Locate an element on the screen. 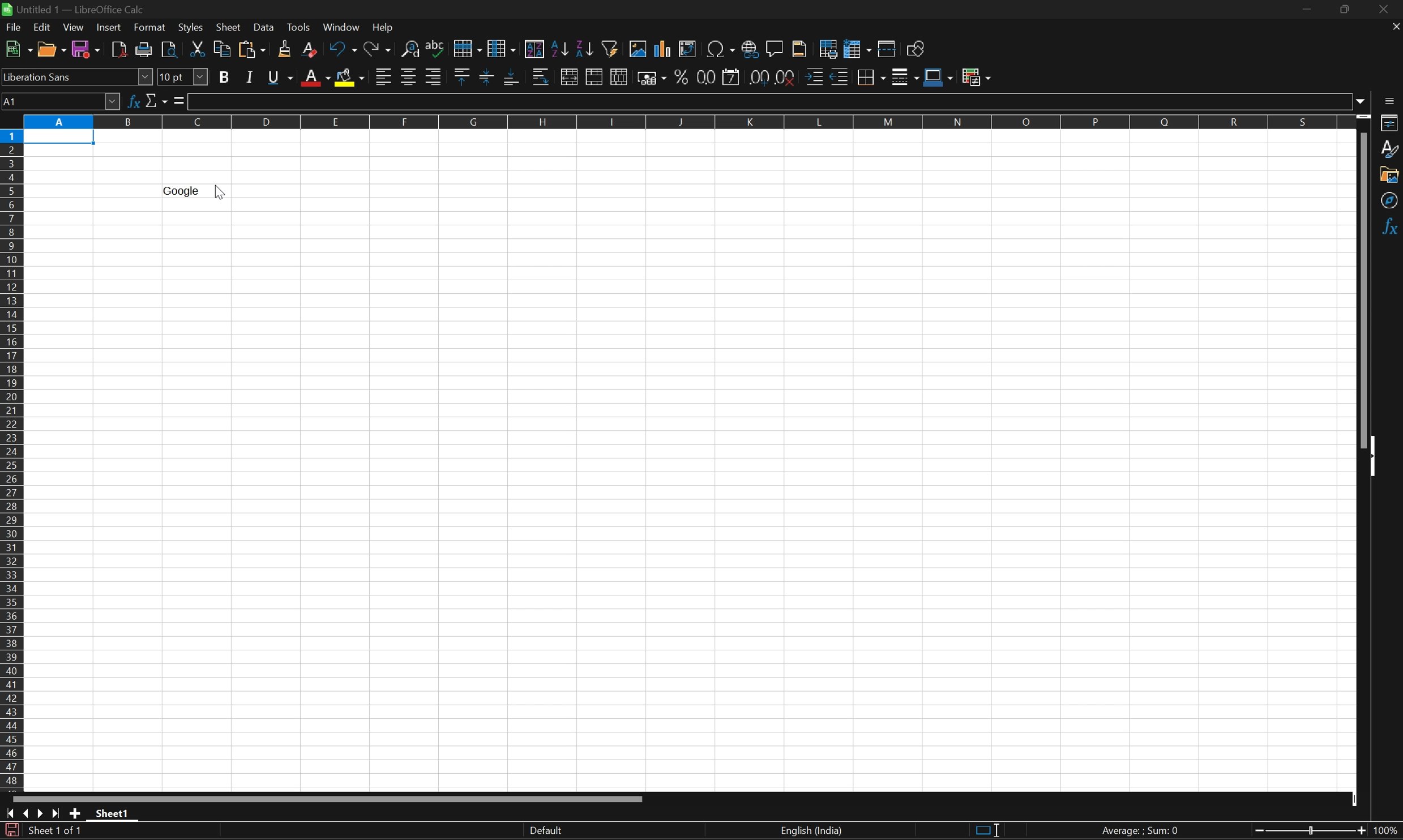 This screenshot has width=1403, height=840. Merge and center or unmerge cells depending on the current toggle state is located at coordinates (572, 76).